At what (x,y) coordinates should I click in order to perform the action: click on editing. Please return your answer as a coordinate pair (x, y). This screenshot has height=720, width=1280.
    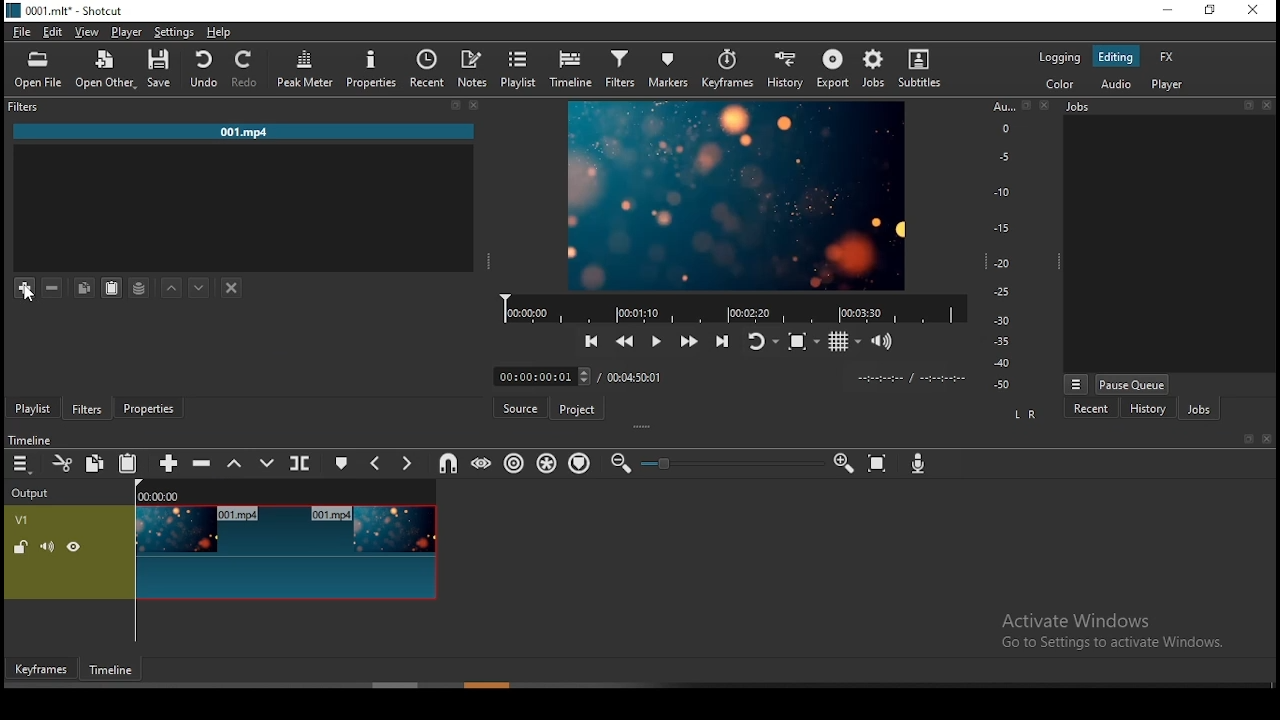
    Looking at the image, I should click on (1115, 55).